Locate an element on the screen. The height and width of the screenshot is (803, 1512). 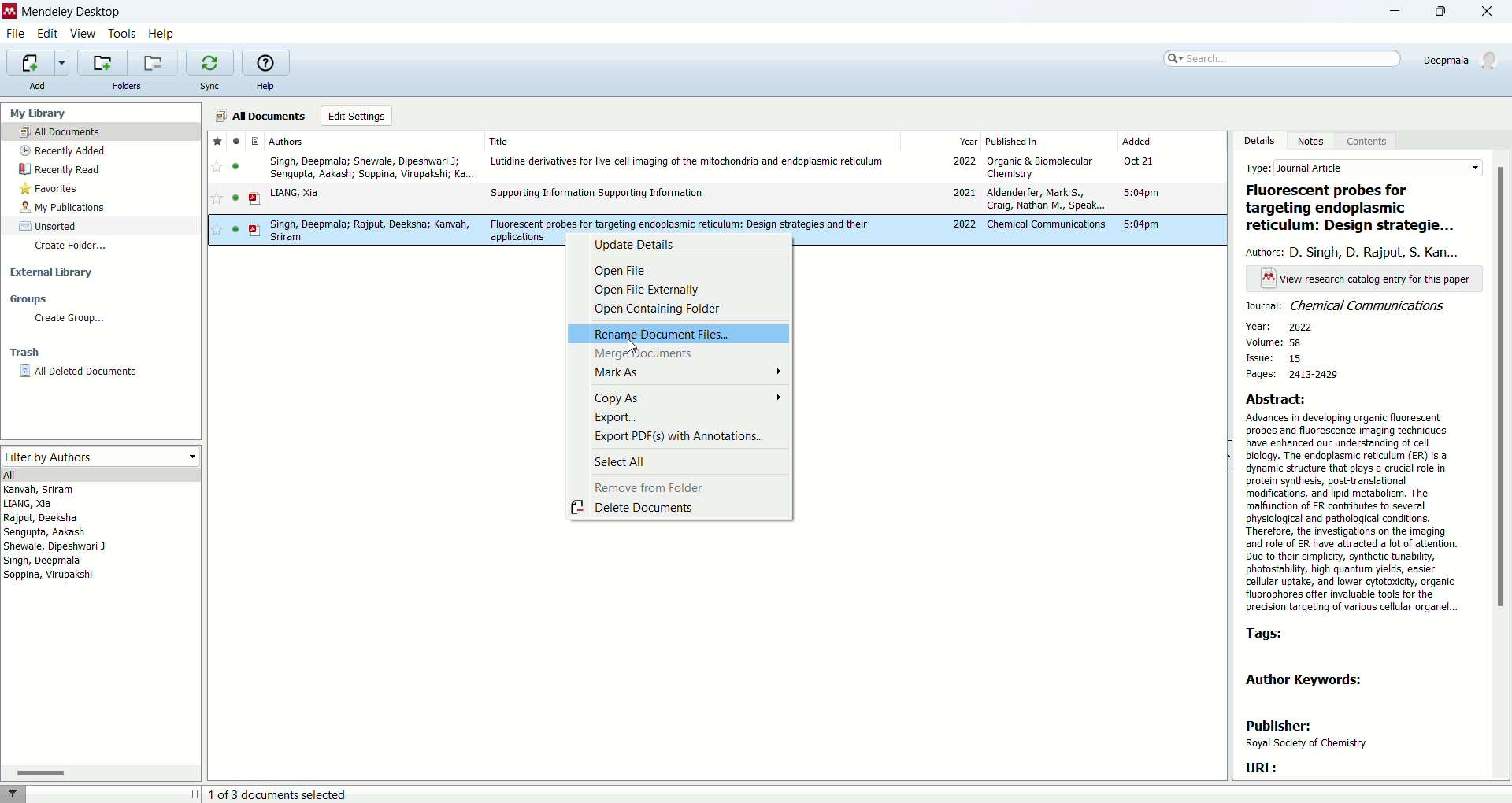
added is located at coordinates (1169, 141).